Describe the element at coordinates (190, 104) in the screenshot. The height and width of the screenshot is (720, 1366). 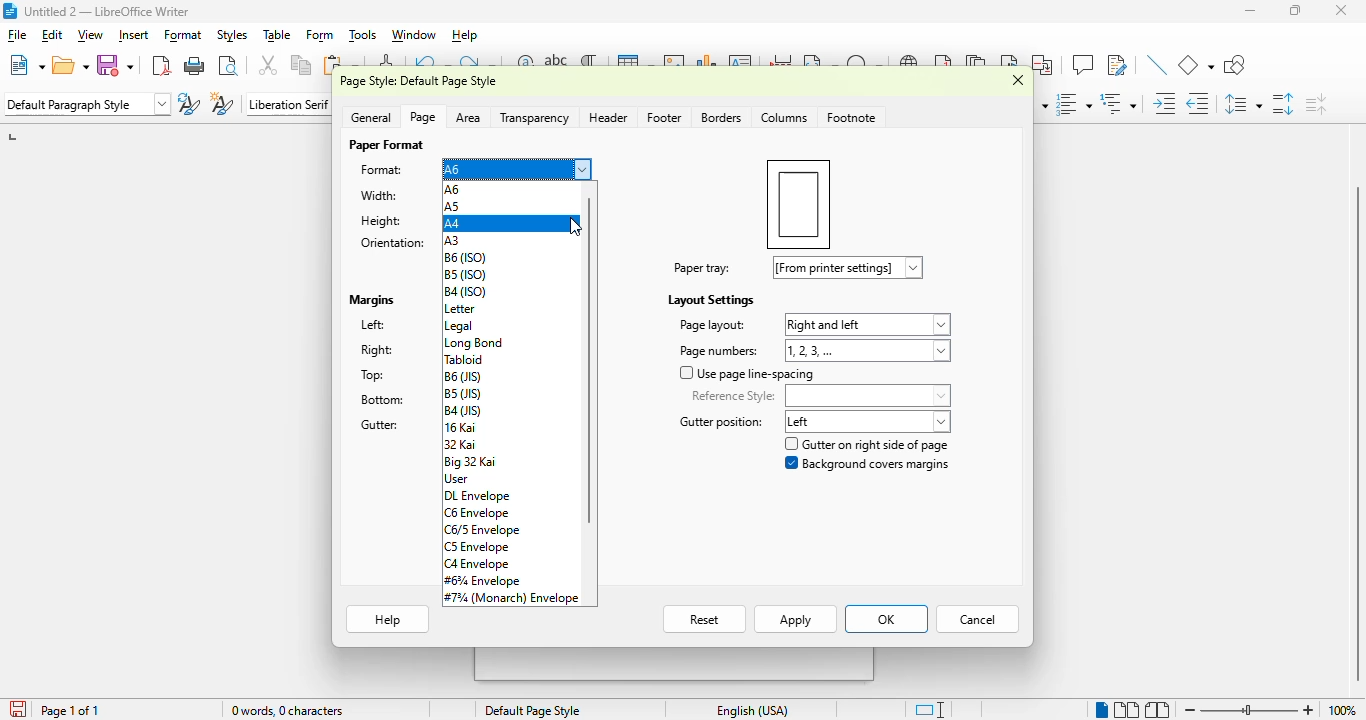
I see `update selected style` at that location.